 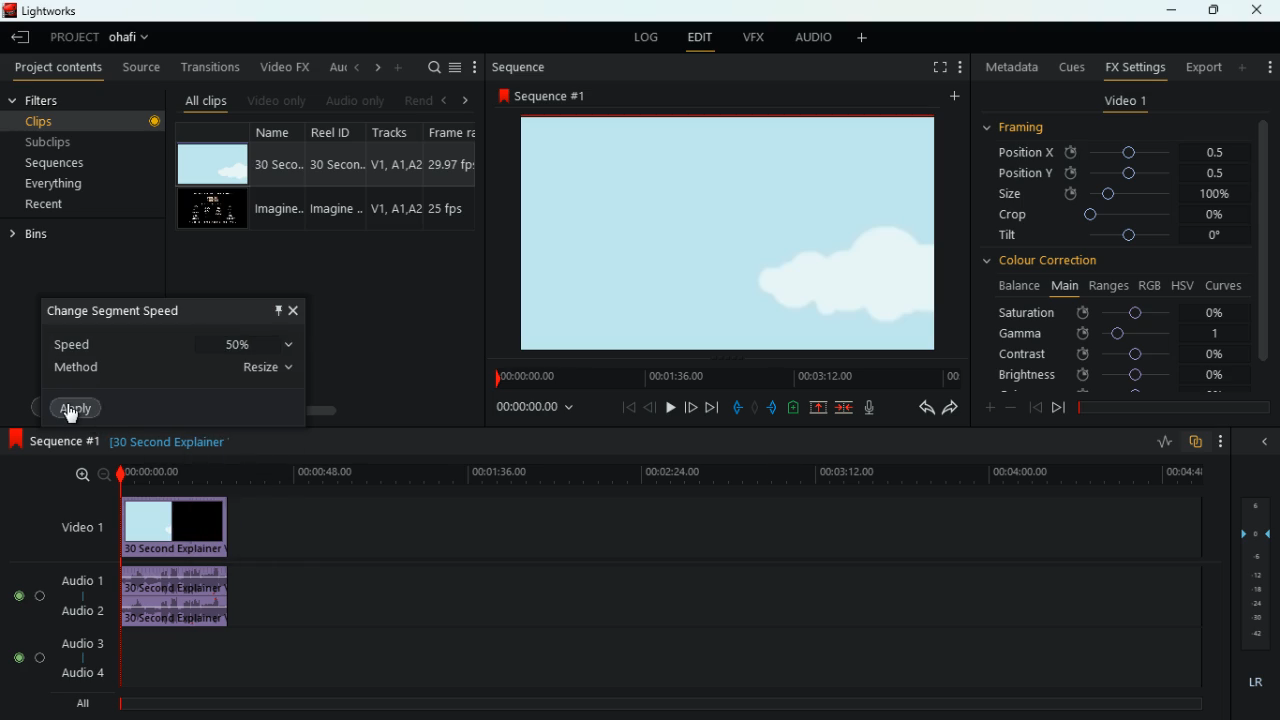 What do you see at coordinates (354, 67) in the screenshot?
I see `left` at bounding box center [354, 67].